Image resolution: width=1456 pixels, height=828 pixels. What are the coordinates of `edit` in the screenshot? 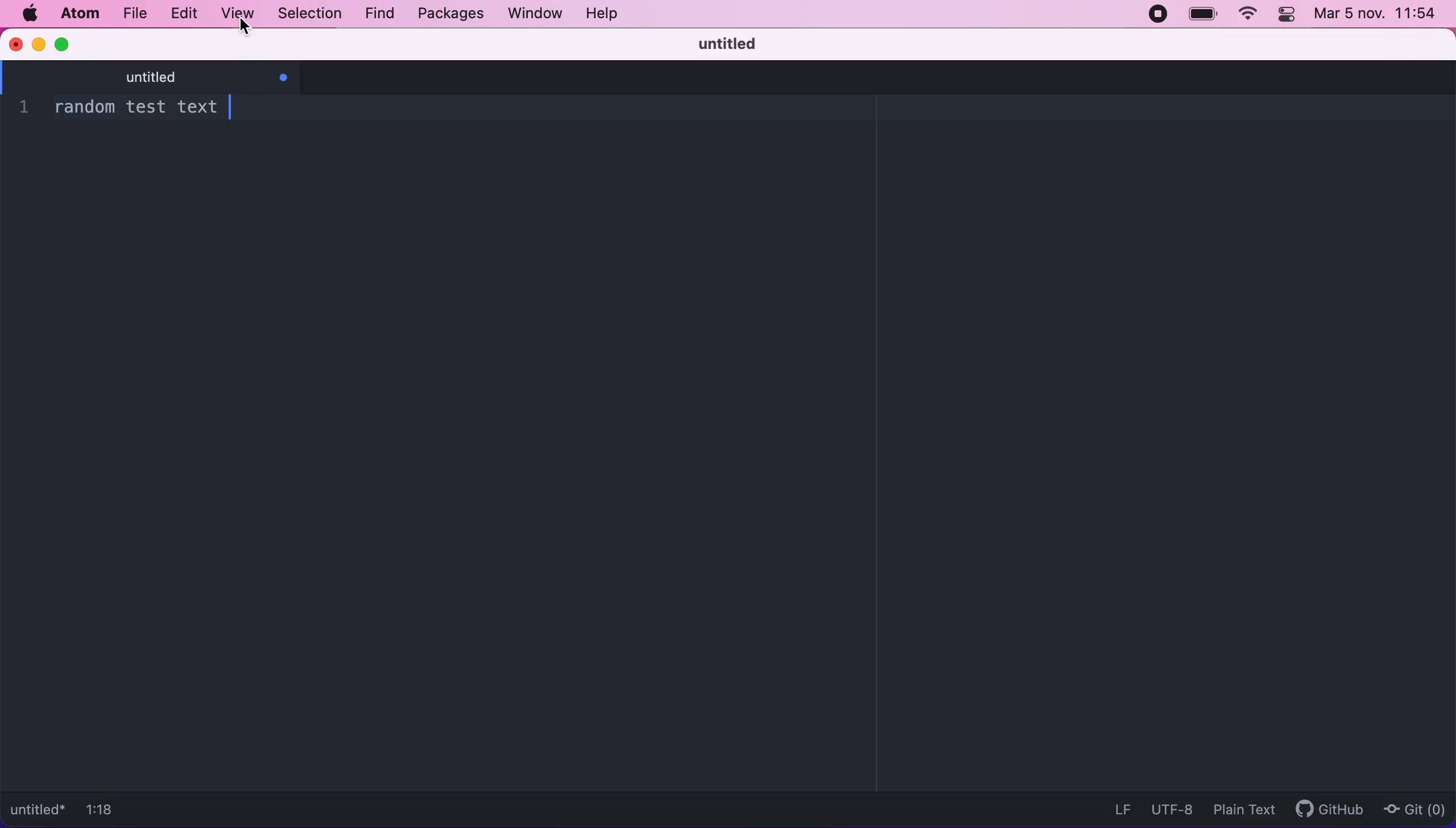 It's located at (188, 14).